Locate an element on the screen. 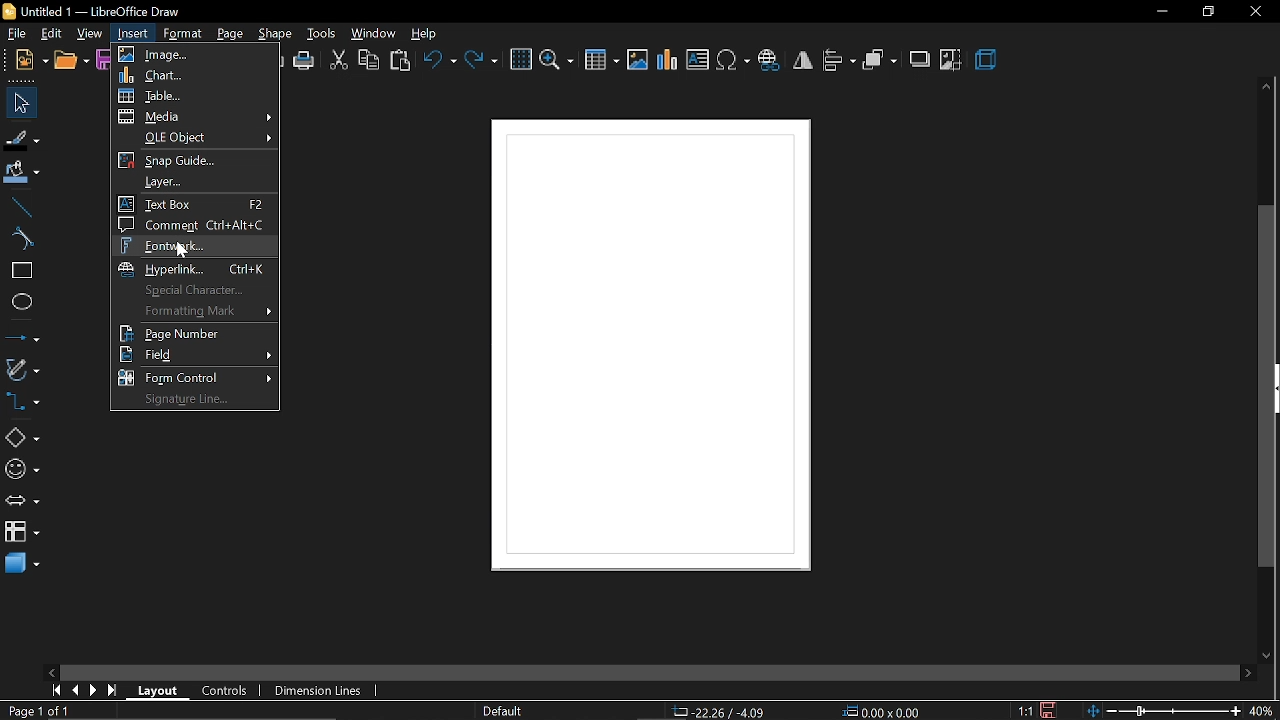  Page 1 of 1 is located at coordinates (38, 711).